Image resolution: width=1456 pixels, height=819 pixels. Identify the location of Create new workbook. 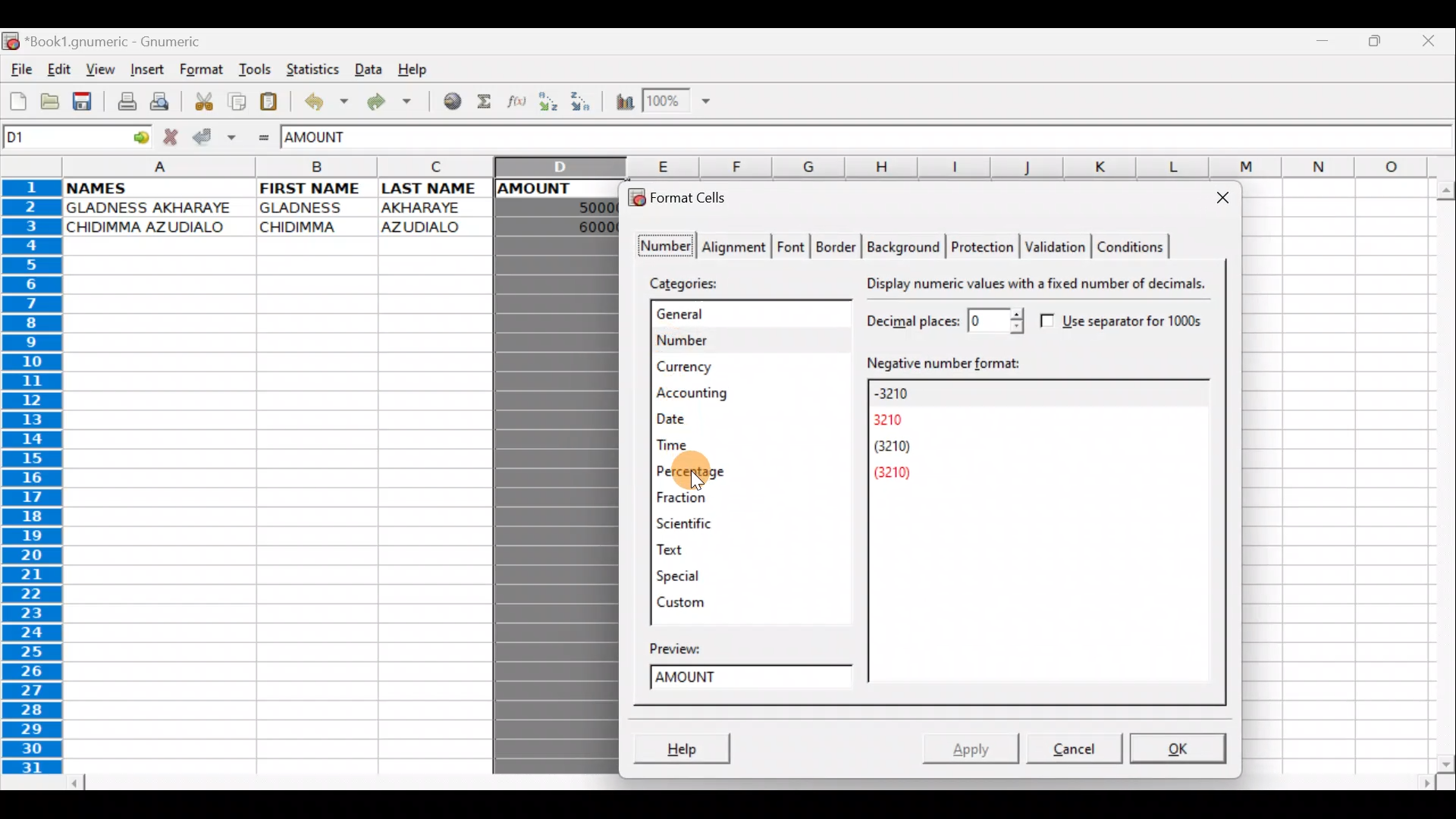
(17, 102).